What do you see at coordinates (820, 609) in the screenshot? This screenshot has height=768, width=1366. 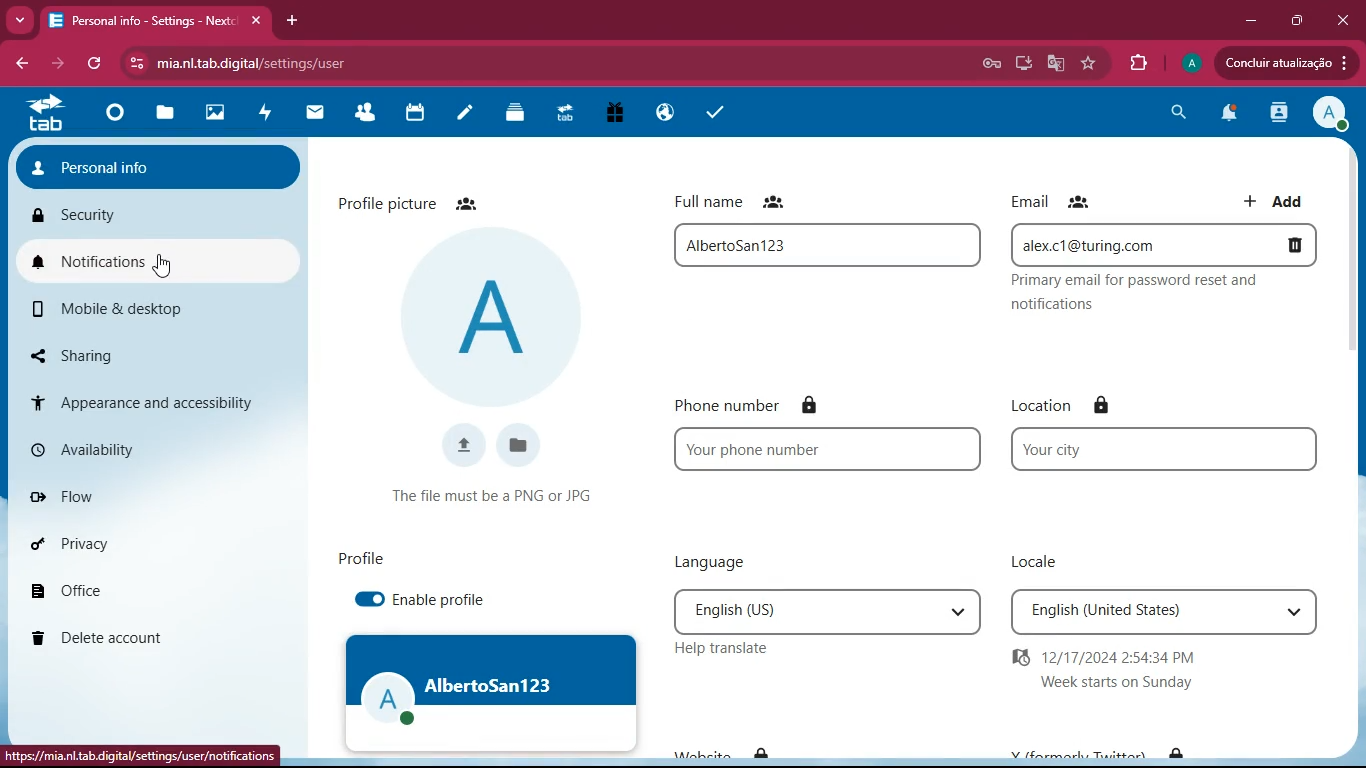 I see `language` at bounding box center [820, 609].